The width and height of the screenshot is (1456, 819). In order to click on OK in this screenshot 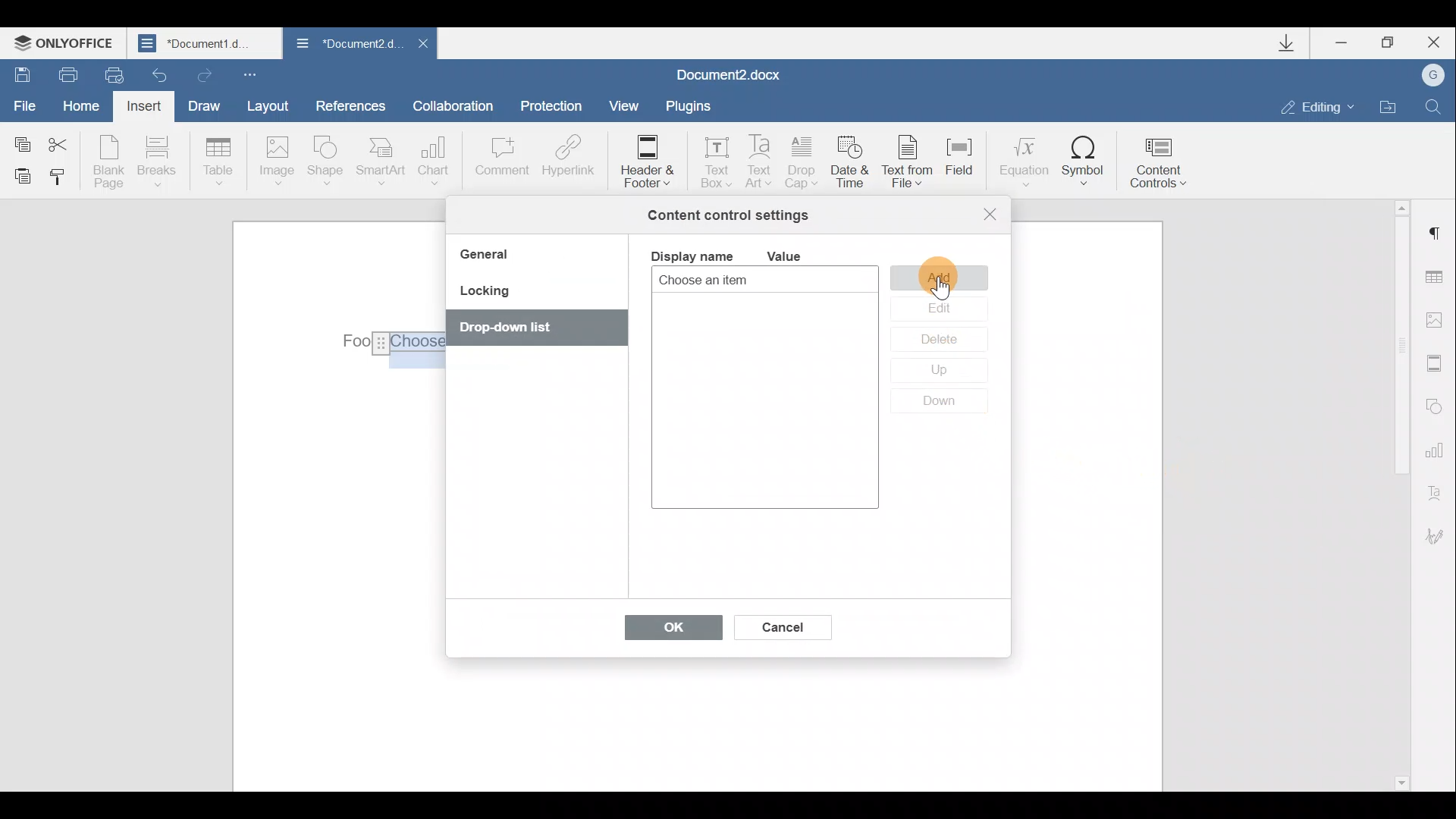, I will do `click(666, 631)`.